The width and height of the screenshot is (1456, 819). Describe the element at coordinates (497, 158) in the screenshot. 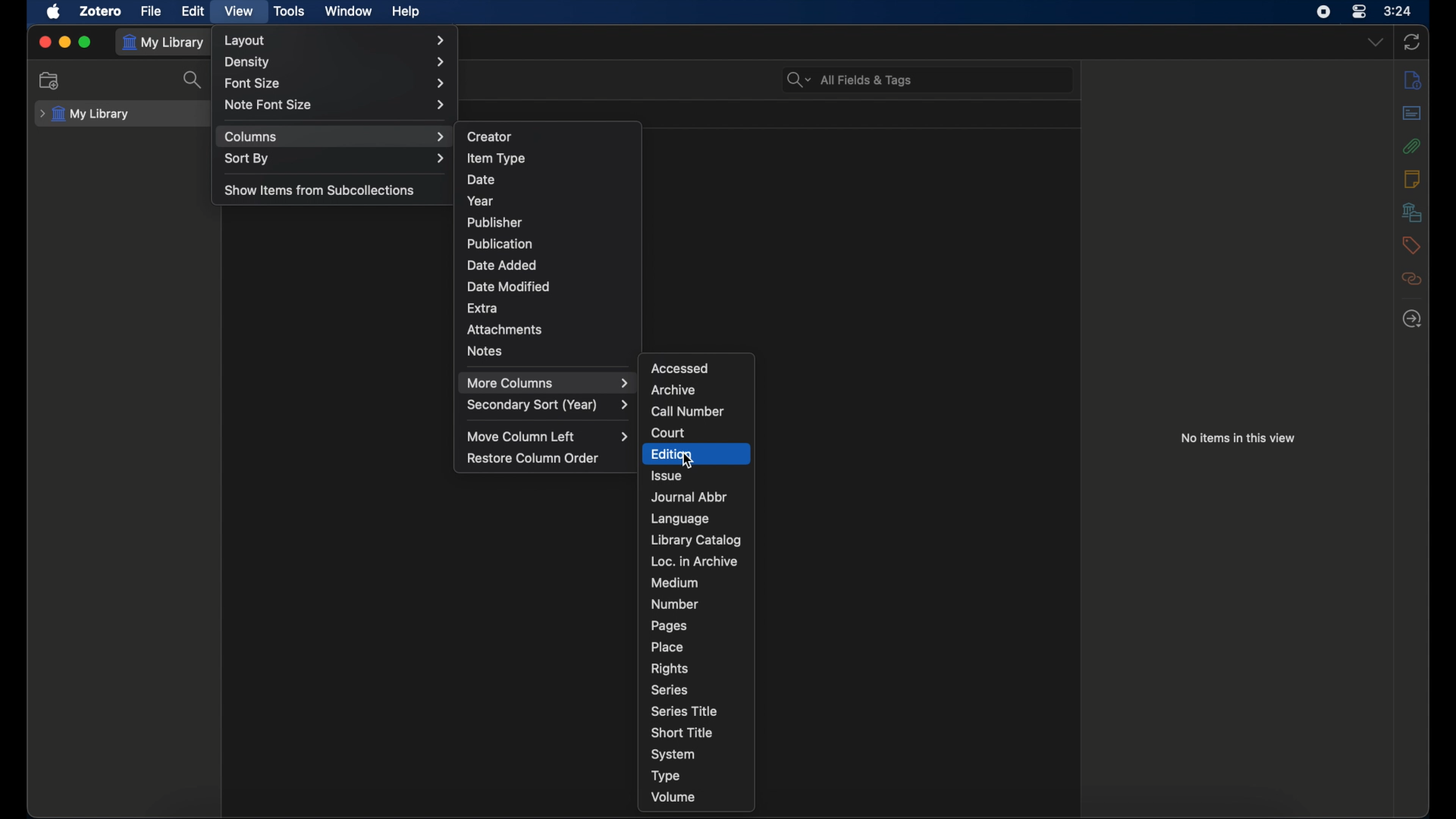

I see `item type` at that location.